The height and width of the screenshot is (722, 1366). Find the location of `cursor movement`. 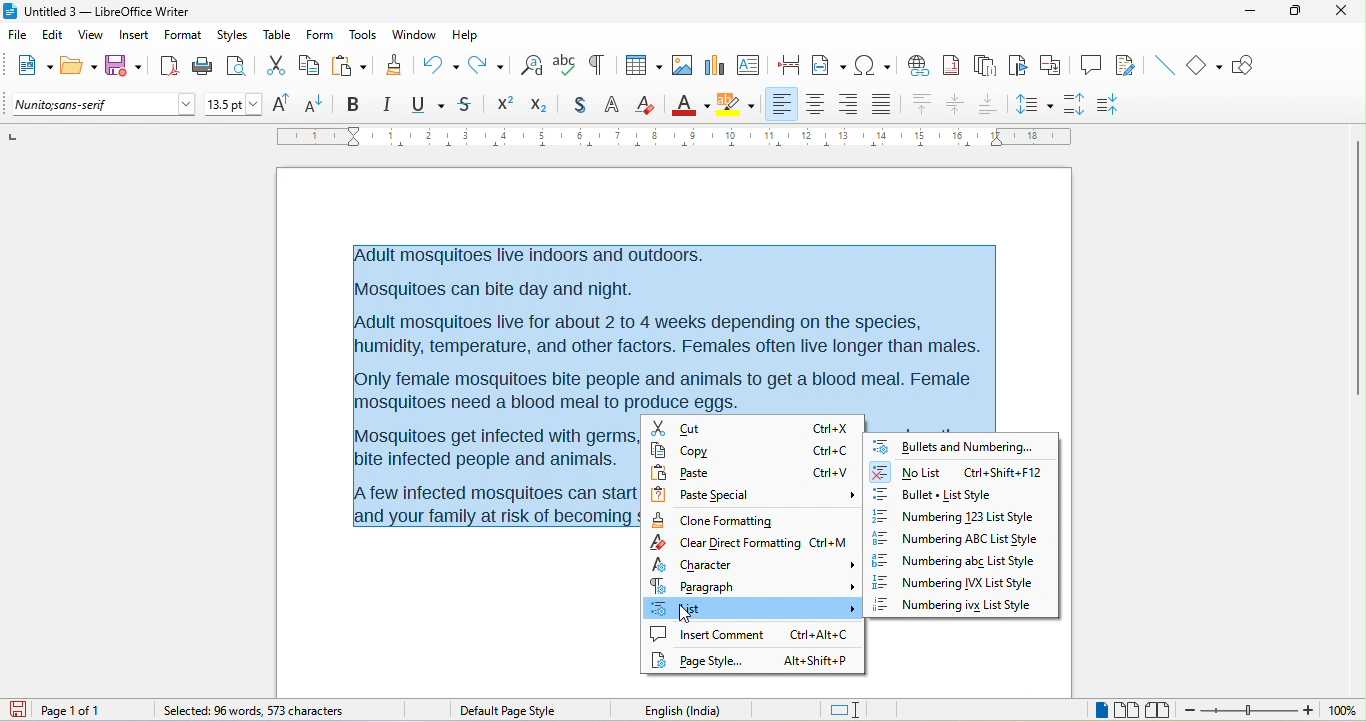

cursor movement is located at coordinates (694, 614).